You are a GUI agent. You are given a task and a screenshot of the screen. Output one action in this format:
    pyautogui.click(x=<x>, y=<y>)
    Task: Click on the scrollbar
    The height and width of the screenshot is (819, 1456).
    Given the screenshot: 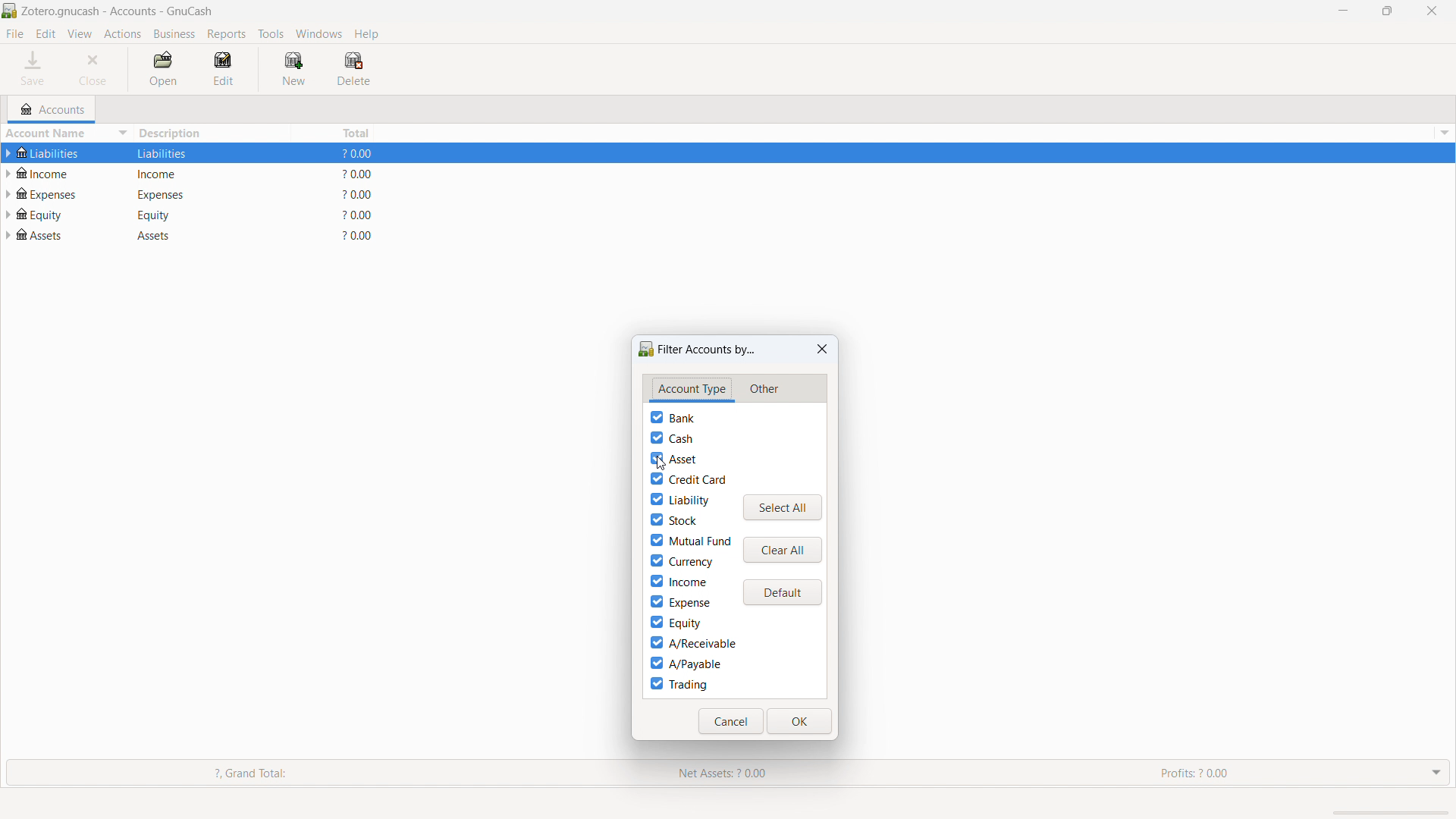 What is the action you would take?
    pyautogui.click(x=1387, y=812)
    